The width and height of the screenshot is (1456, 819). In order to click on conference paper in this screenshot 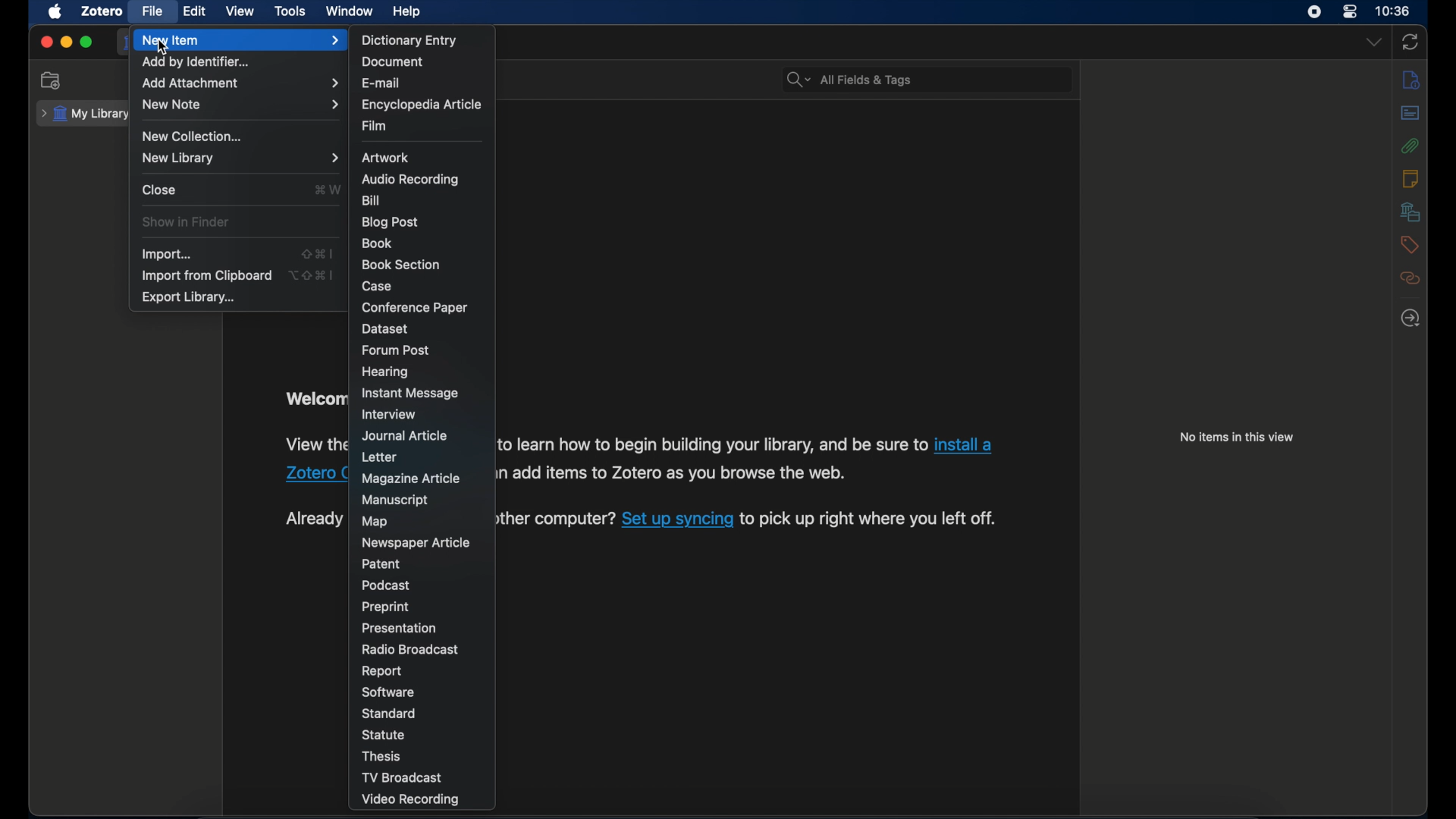, I will do `click(414, 307)`.